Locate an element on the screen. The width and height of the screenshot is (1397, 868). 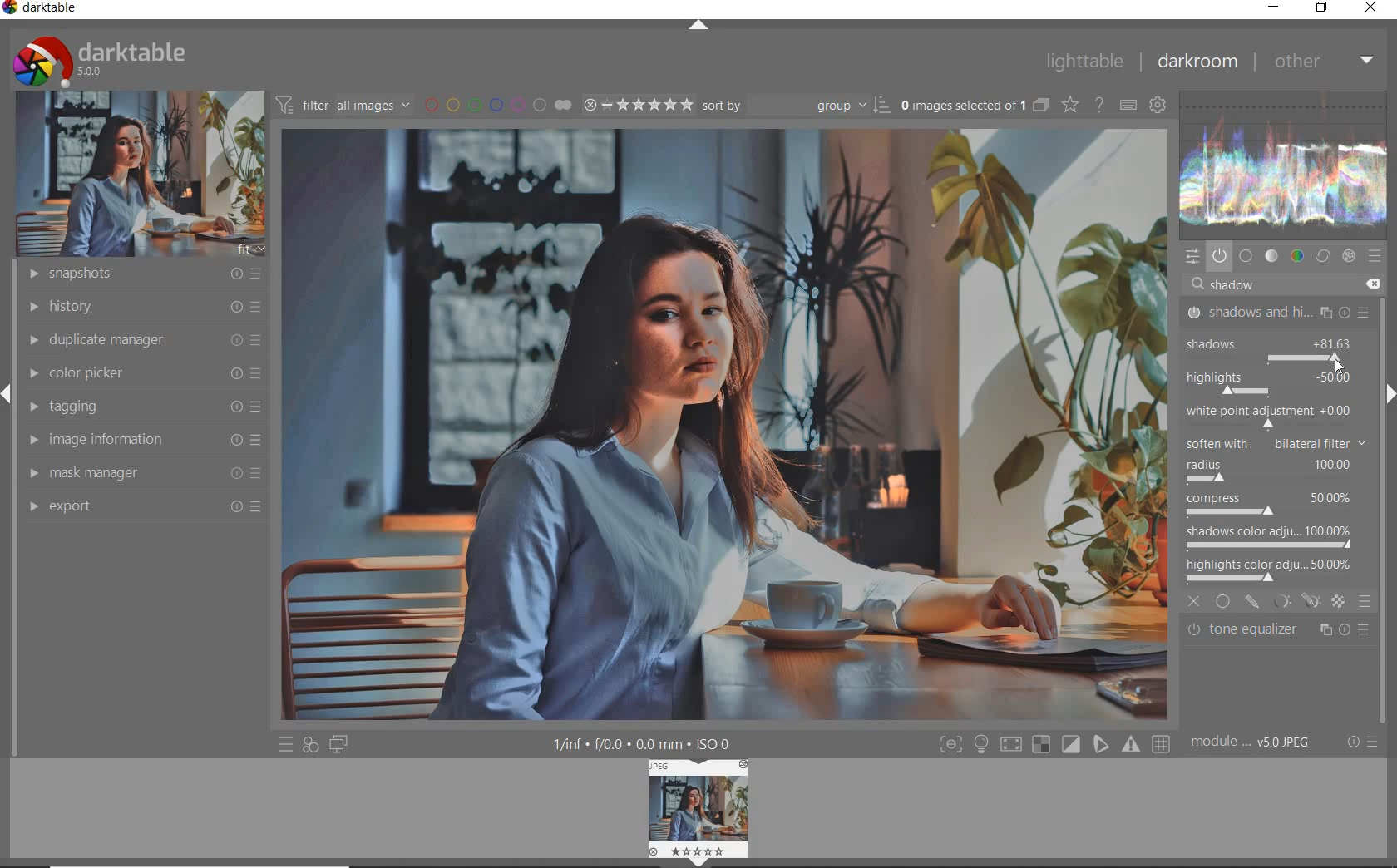
darkroom is located at coordinates (1196, 62).